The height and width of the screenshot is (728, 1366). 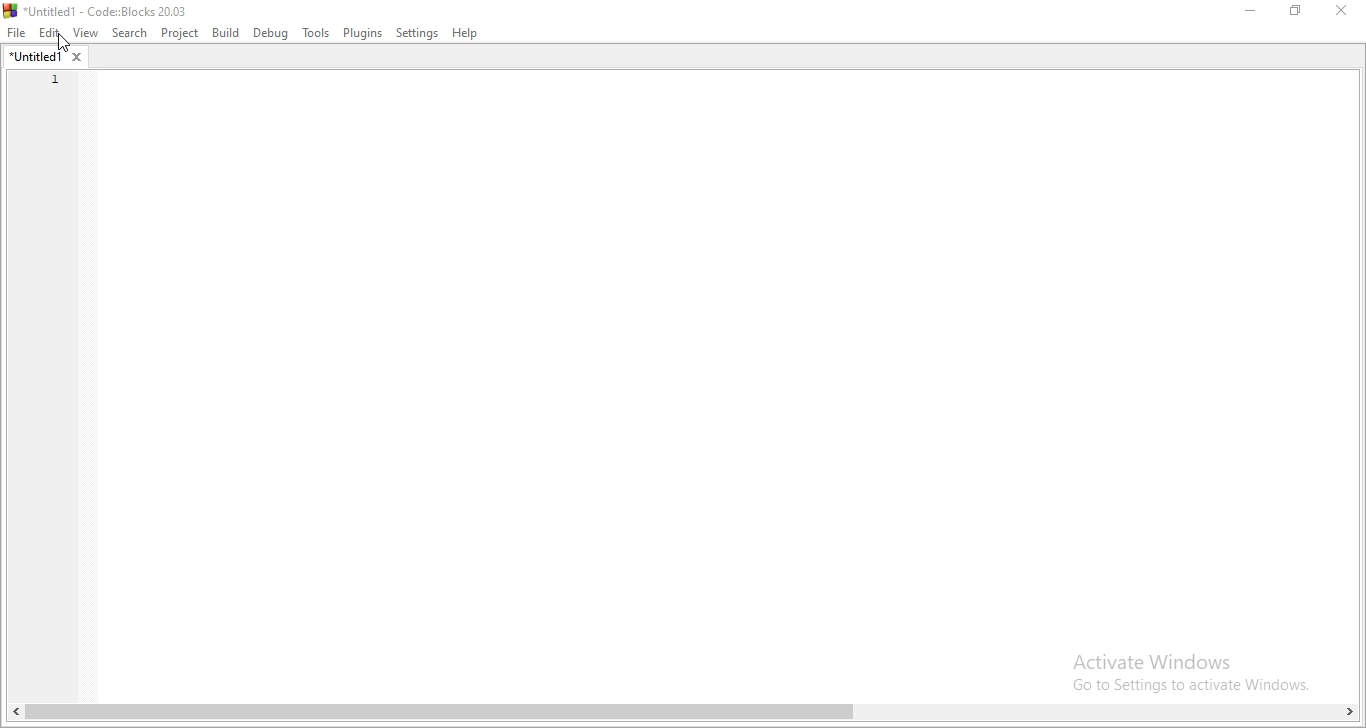 I want to click on scroll bar, so click(x=683, y=714).